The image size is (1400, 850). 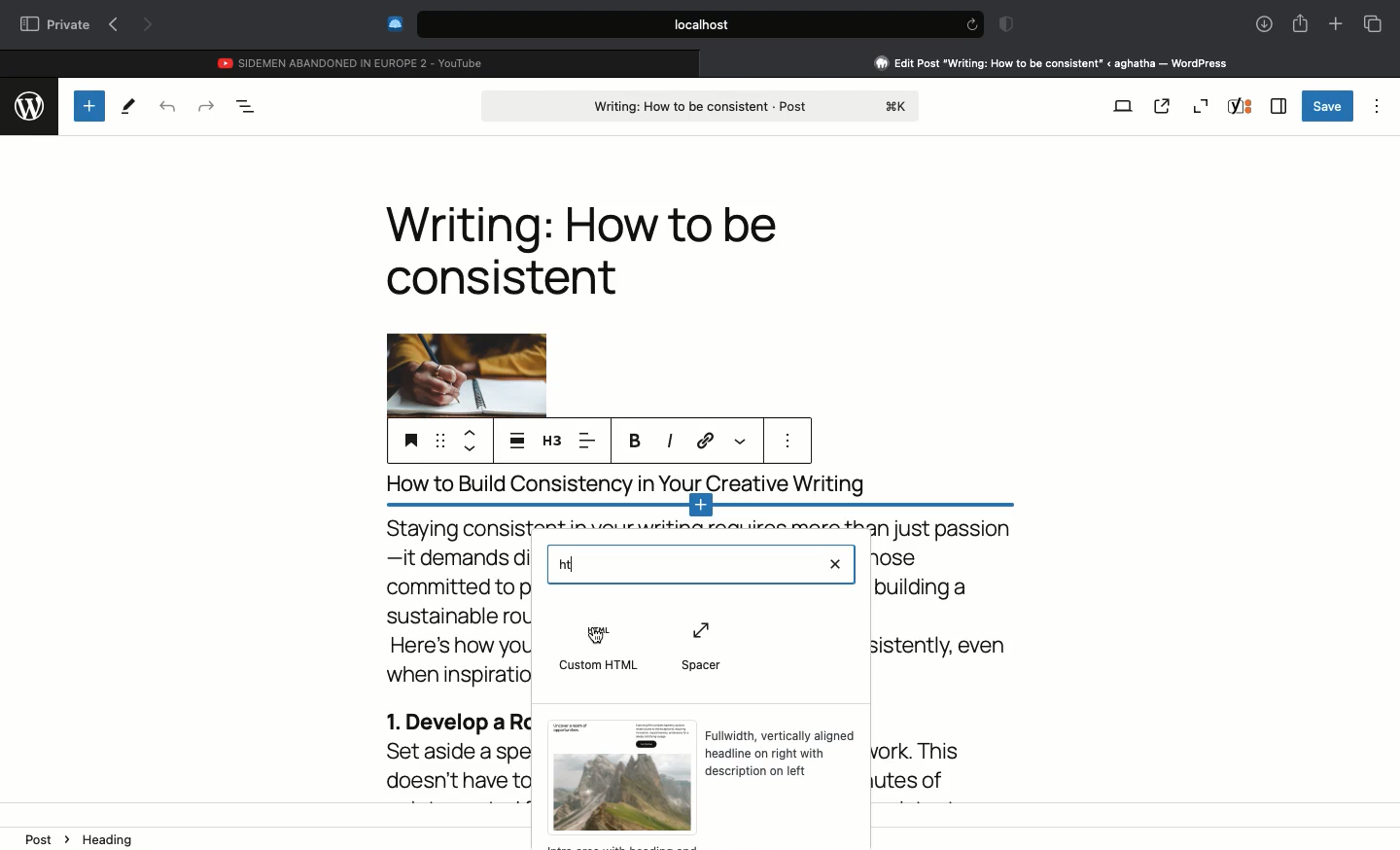 I want to click on refresh, so click(x=970, y=24).